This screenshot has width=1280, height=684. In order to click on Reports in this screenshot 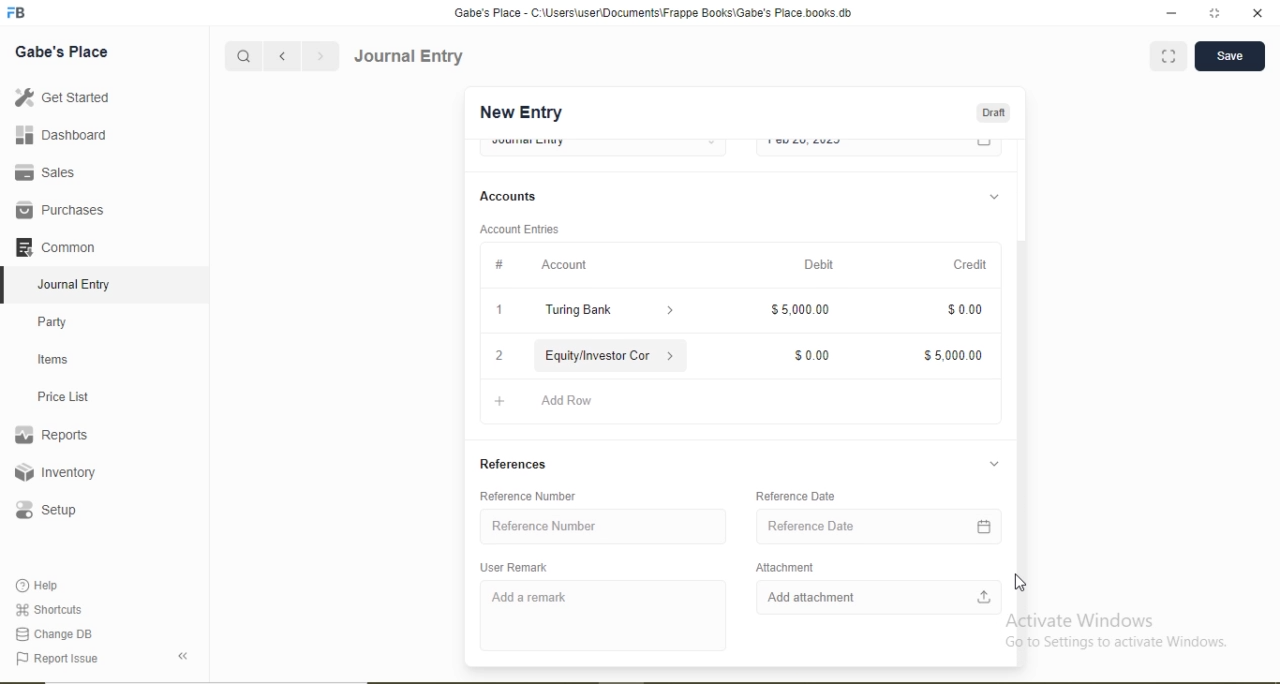, I will do `click(51, 435)`.